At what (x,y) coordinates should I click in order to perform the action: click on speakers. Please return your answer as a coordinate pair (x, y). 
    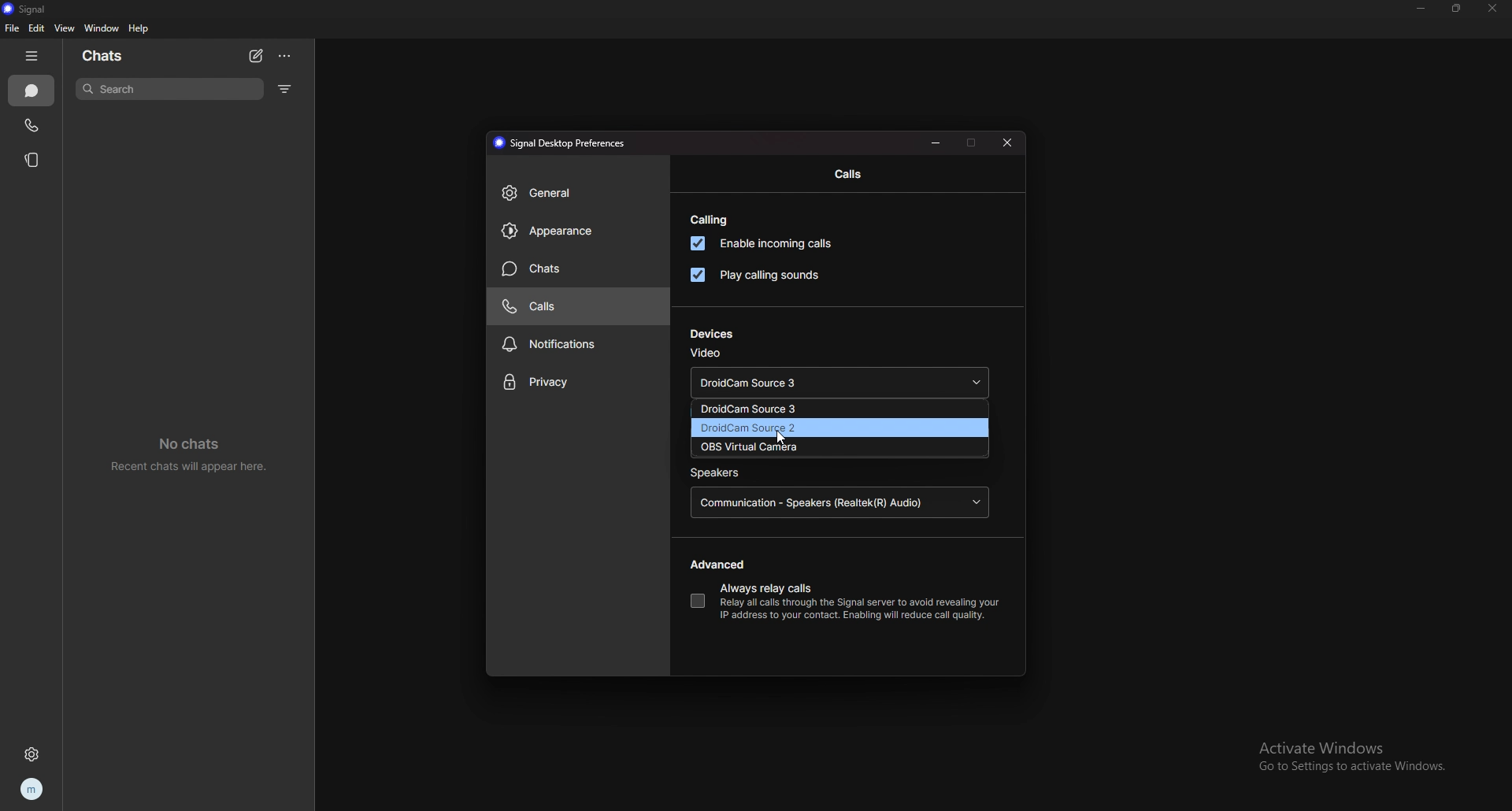
    Looking at the image, I should click on (717, 473).